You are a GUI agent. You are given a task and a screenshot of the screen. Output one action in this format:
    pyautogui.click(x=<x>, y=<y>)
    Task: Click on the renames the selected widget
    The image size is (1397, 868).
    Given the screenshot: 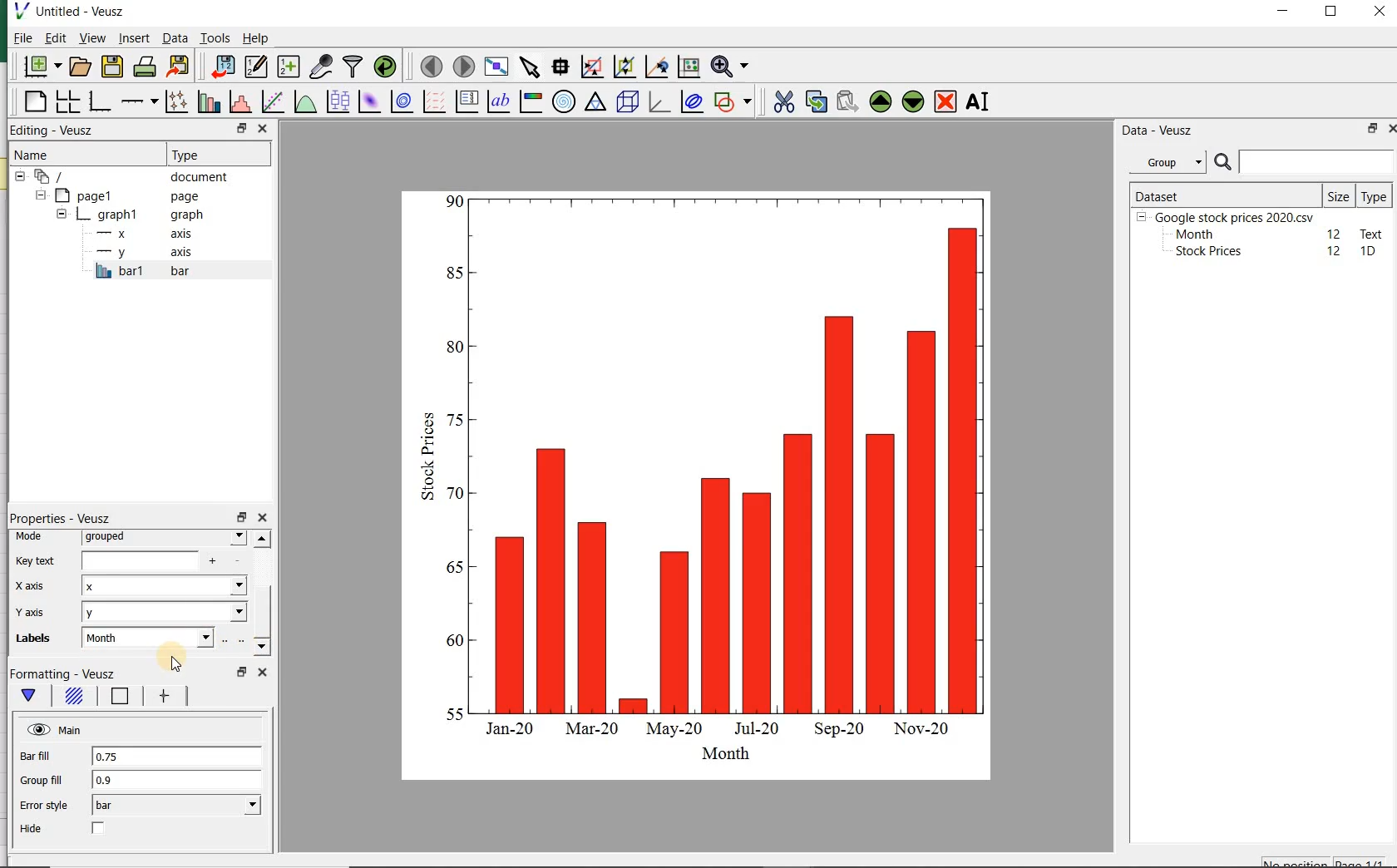 What is the action you would take?
    pyautogui.click(x=975, y=104)
    